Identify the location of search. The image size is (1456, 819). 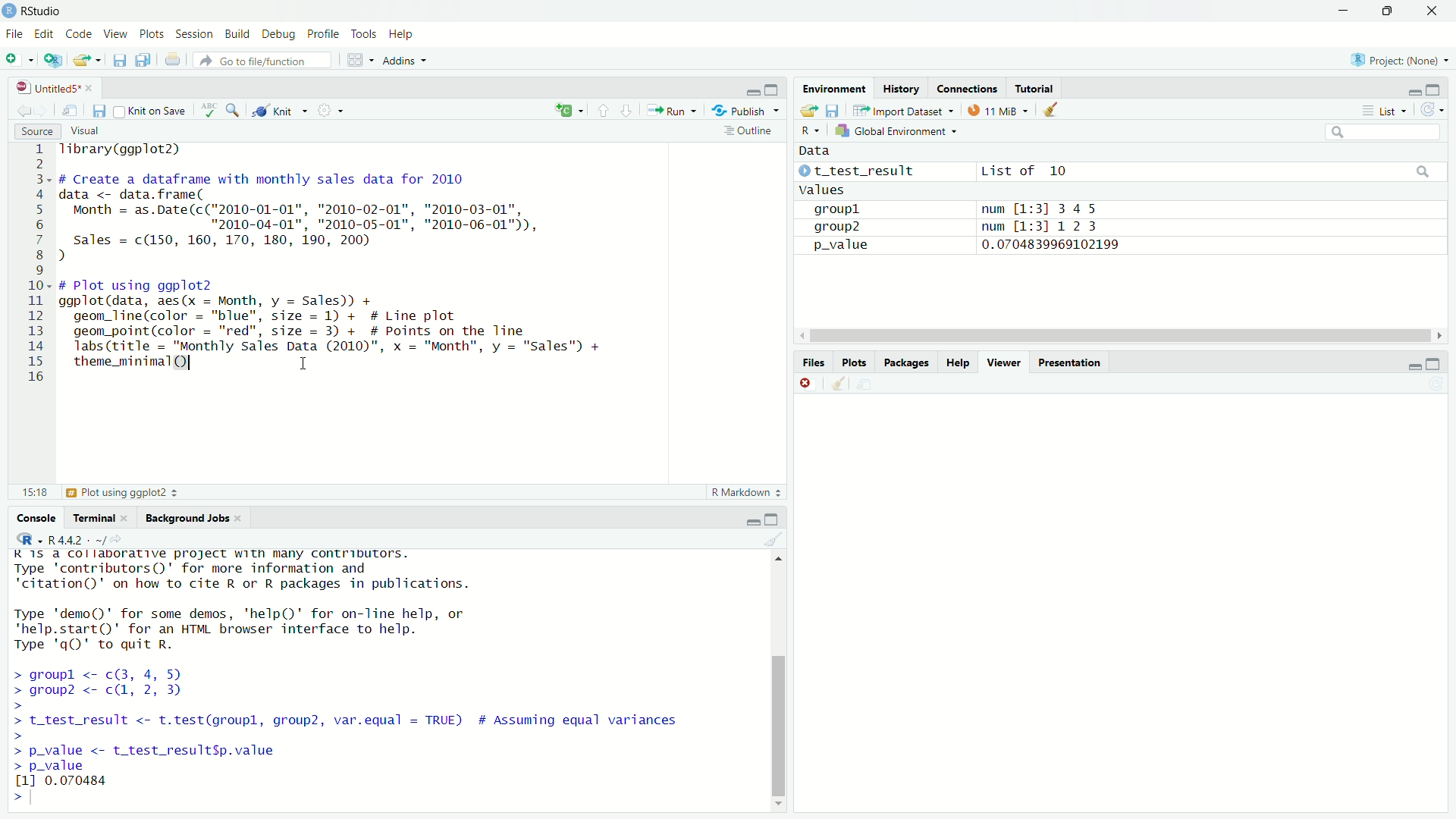
(1420, 171).